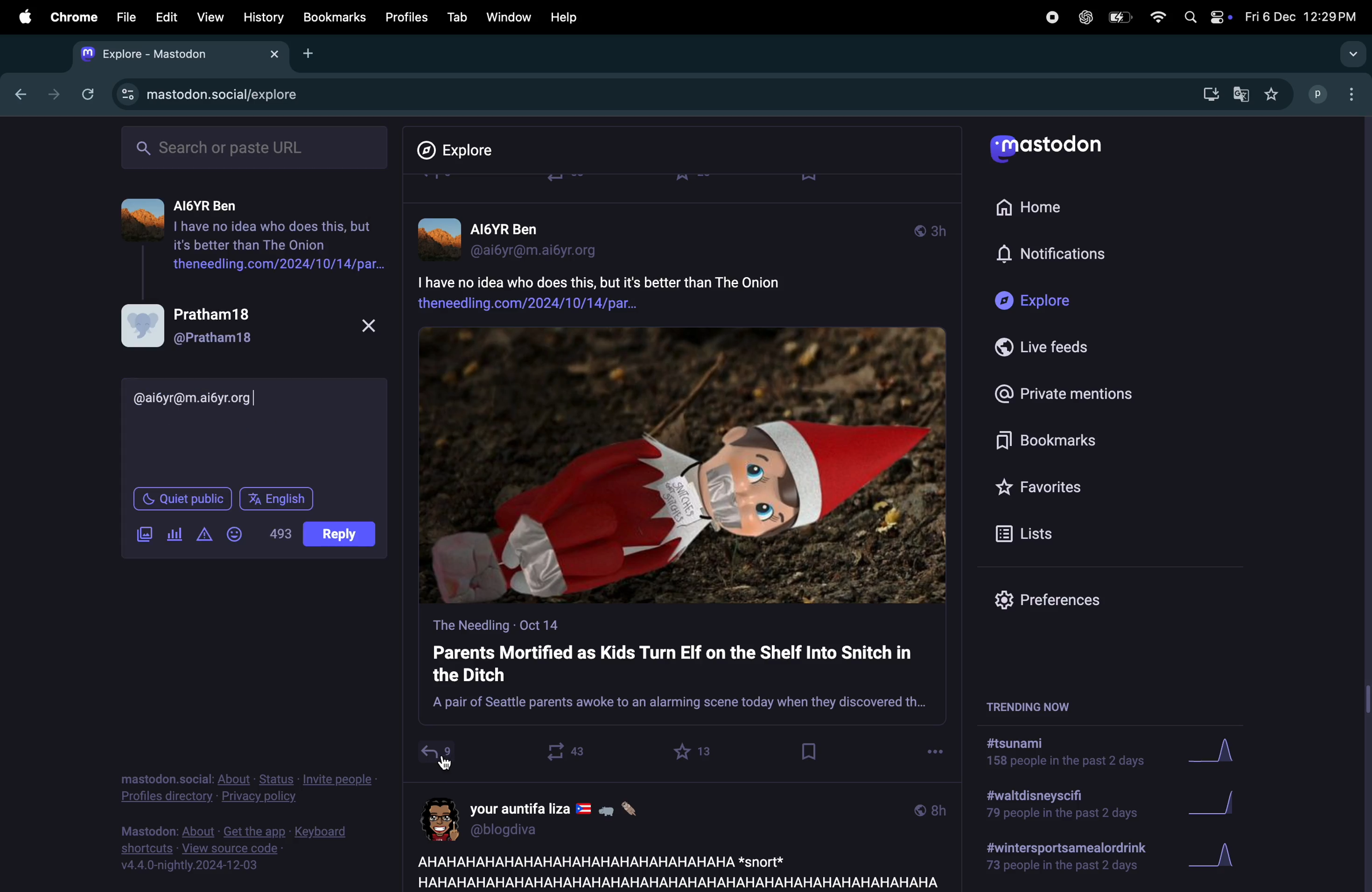  Describe the element at coordinates (333, 17) in the screenshot. I see `Book mark` at that location.